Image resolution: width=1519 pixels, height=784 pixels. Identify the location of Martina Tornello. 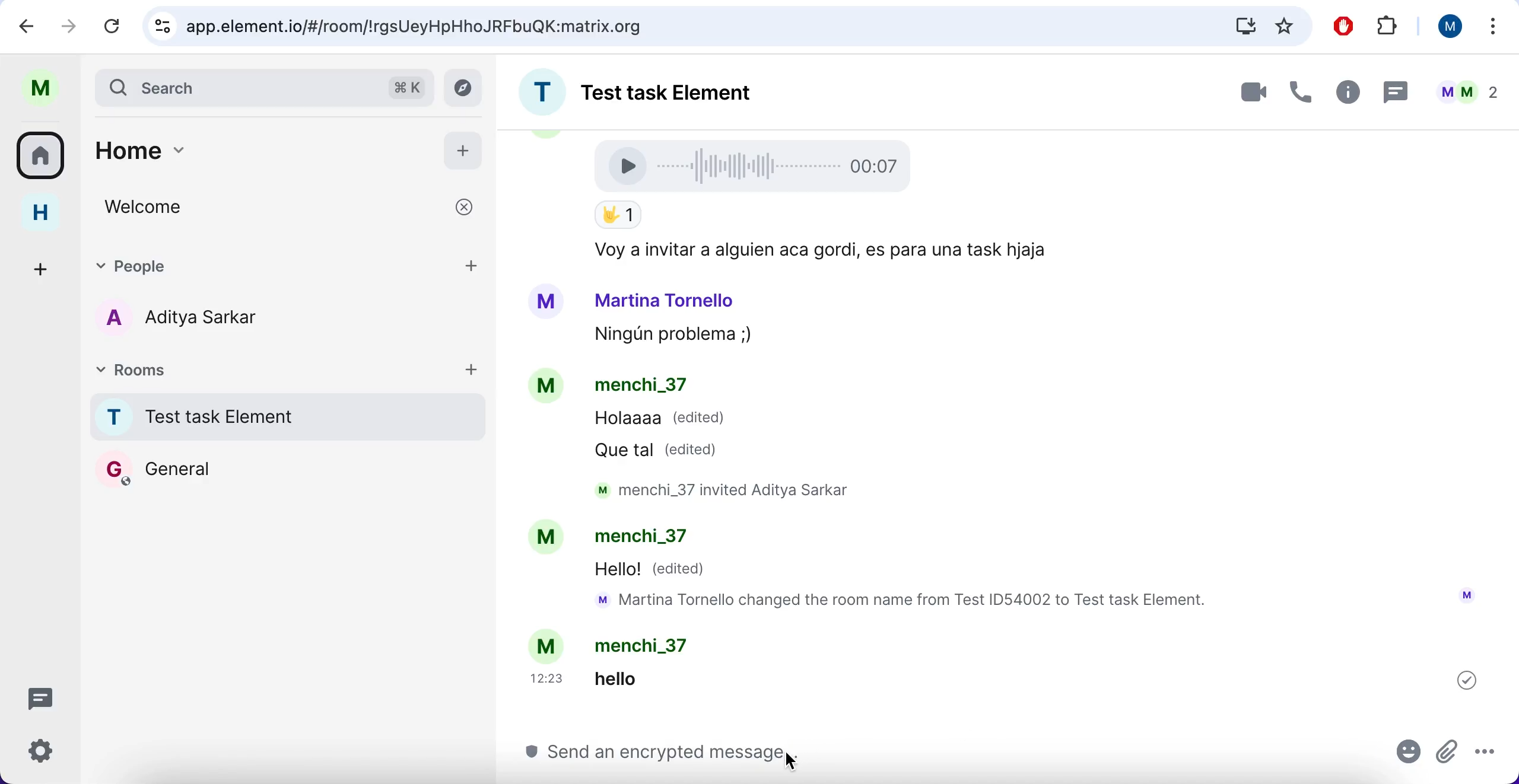
(665, 299).